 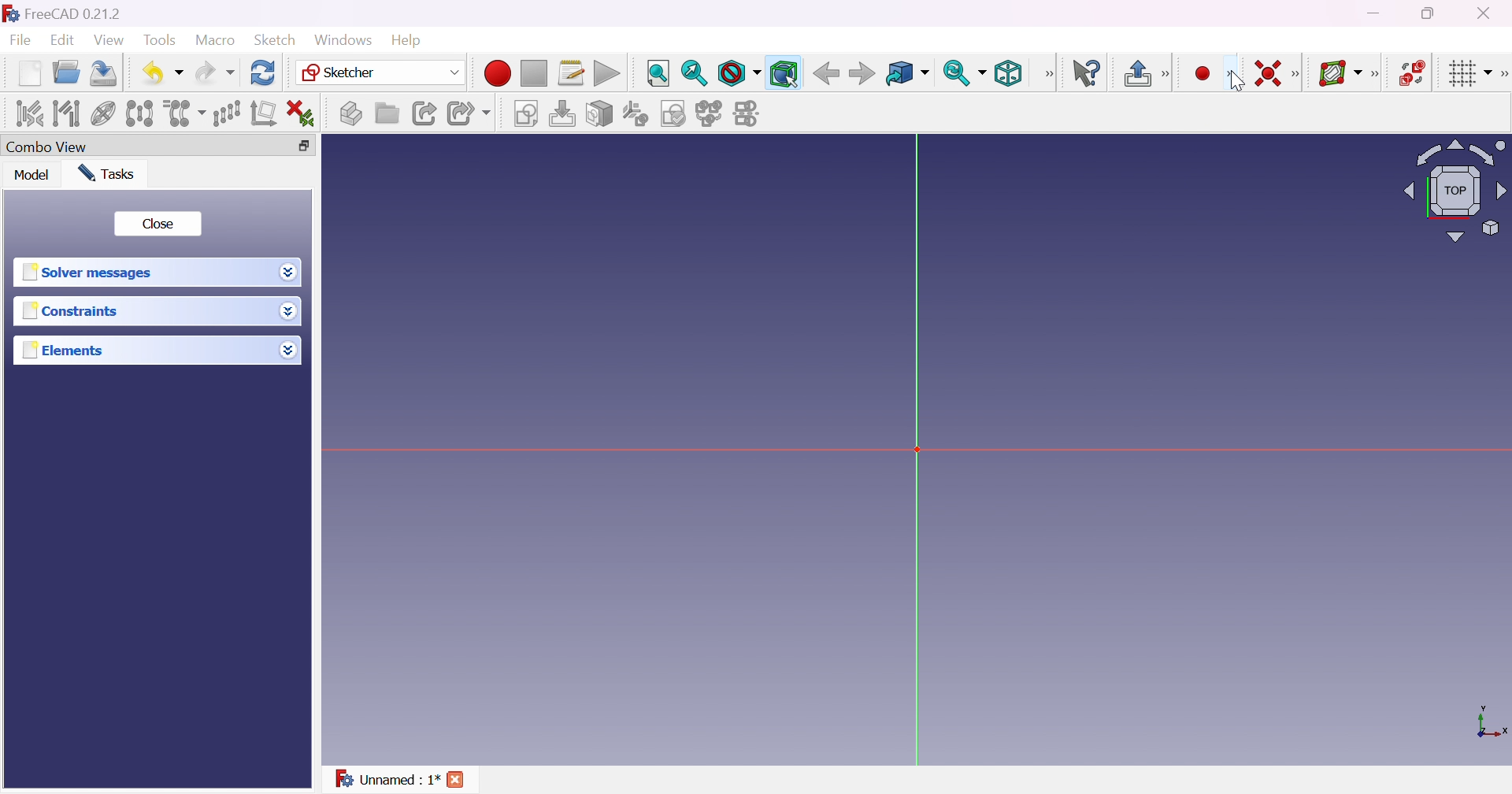 What do you see at coordinates (1503, 74) in the screenshot?
I see `[Sketcher edit tools]` at bounding box center [1503, 74].